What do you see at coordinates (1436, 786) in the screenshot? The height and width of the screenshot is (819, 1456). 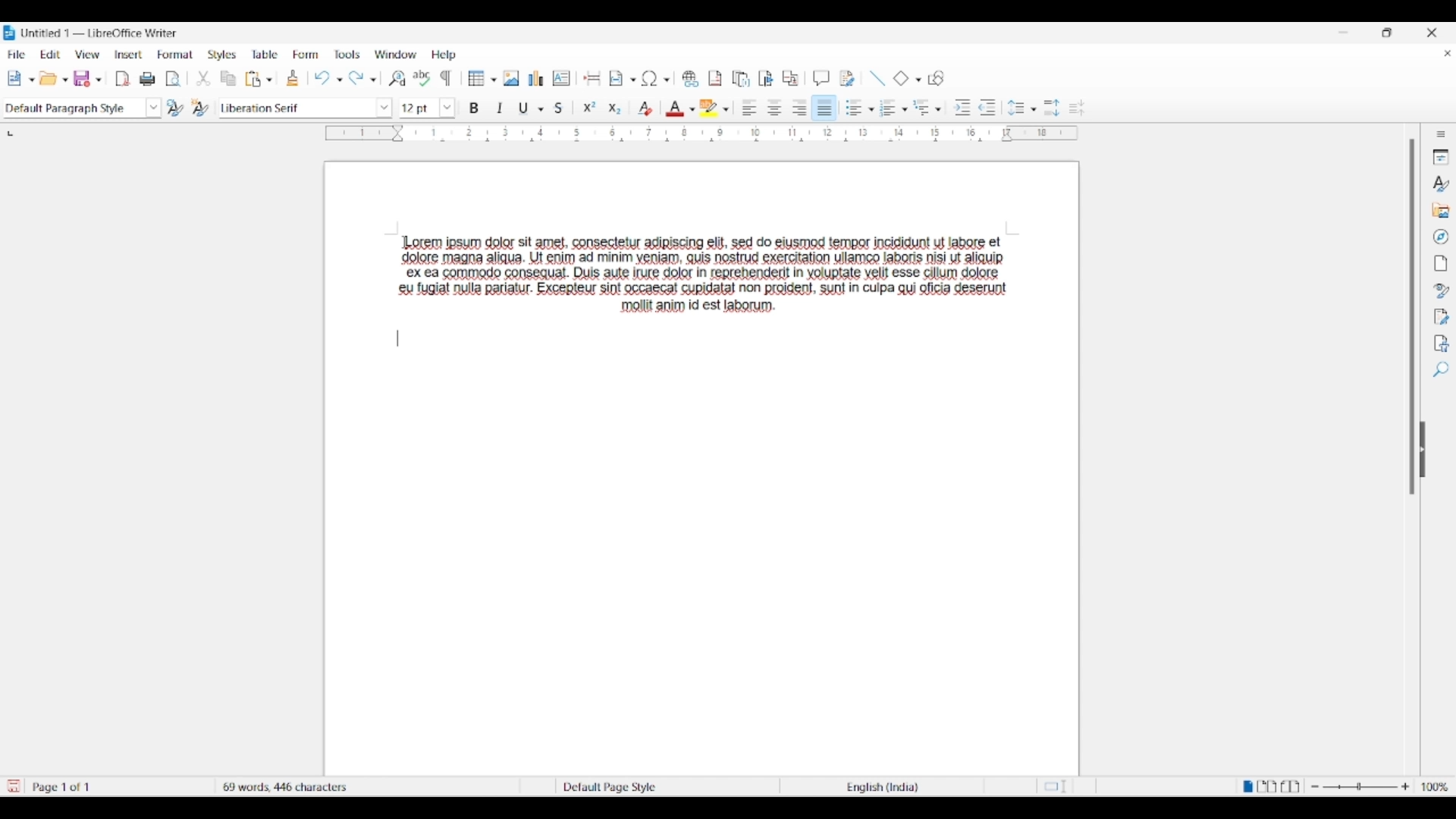 I see `100%` at bounding box center [1436, 786].